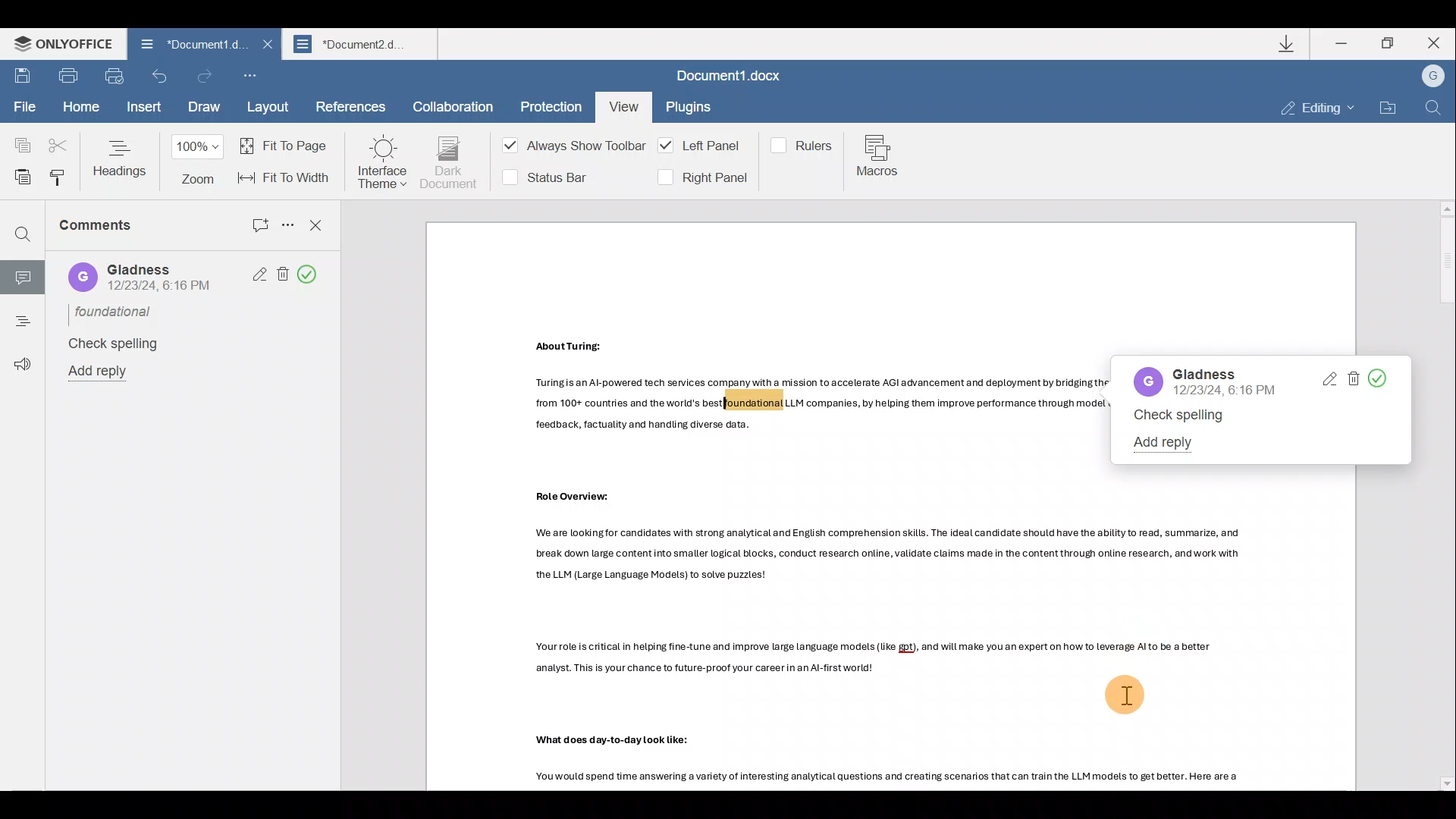 The height and width of the screenshot is (819, 1456). What do you see at coordinates (1128, 695) in the screenshot?
I see `Cursor` at bounding box center [1128, 695].